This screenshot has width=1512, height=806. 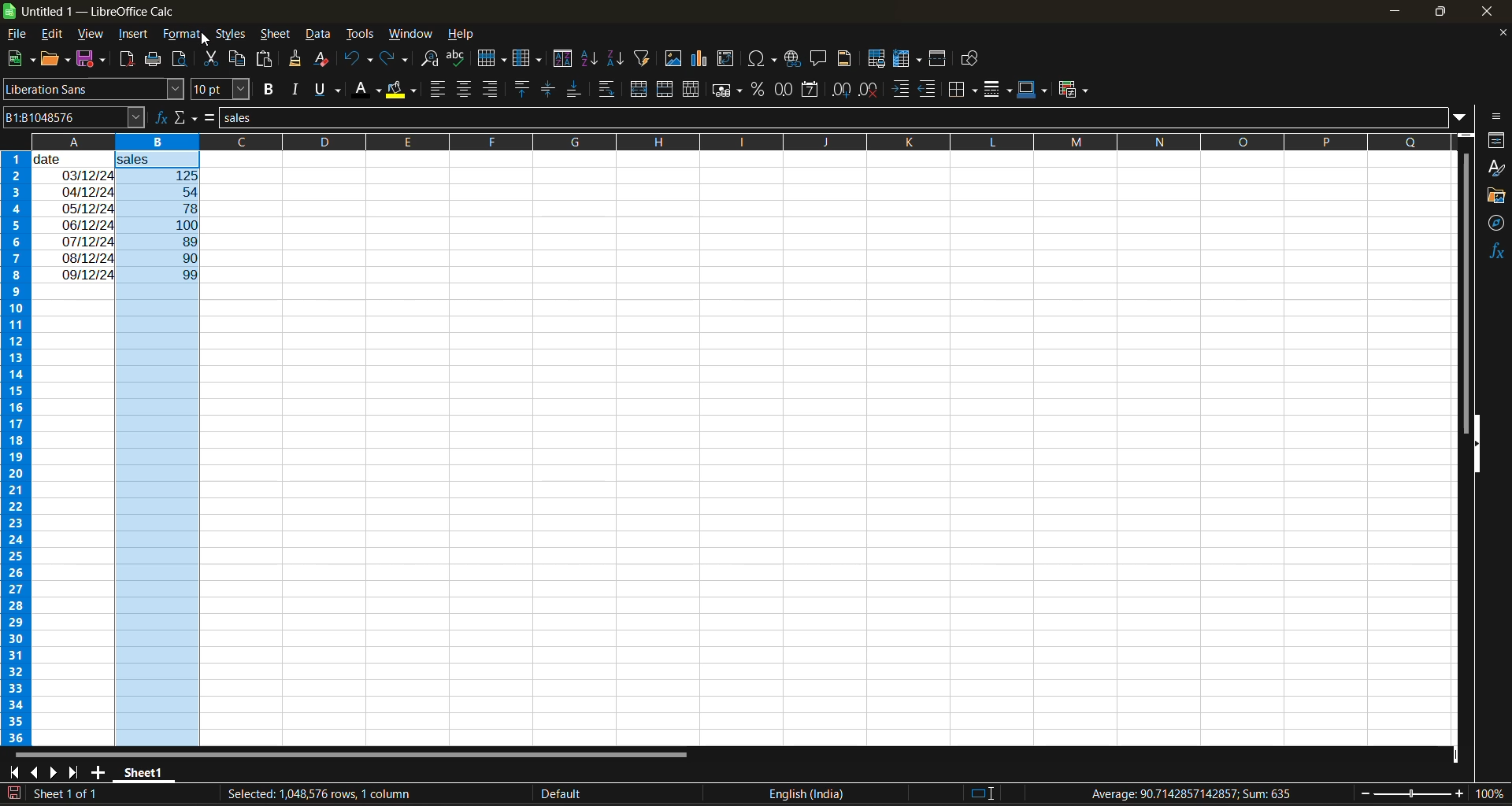 I want to click on borders, so click(x=966, y=89).